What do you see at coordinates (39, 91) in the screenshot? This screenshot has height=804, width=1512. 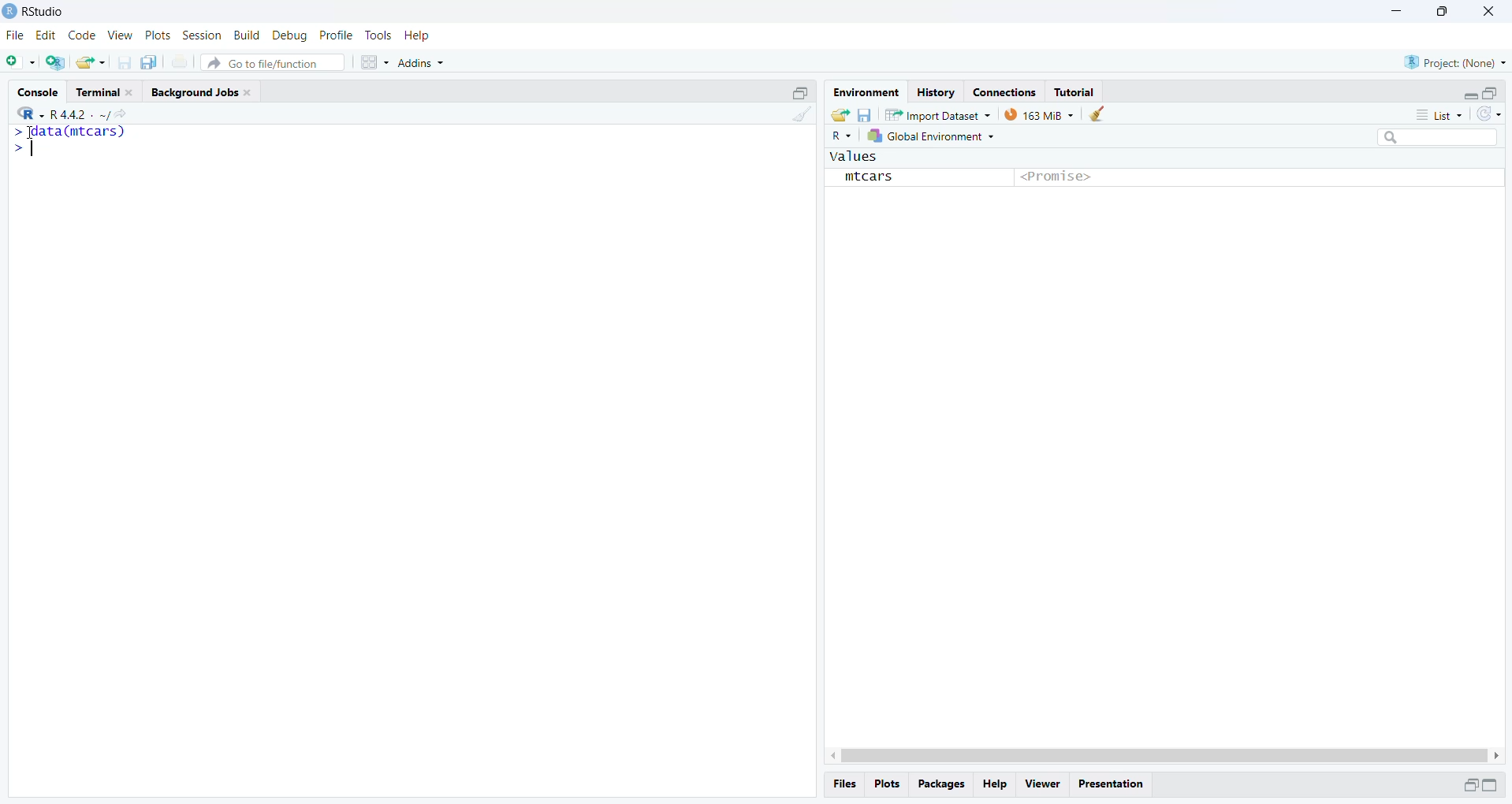 I see `Console` at bounding box center [39, 91].